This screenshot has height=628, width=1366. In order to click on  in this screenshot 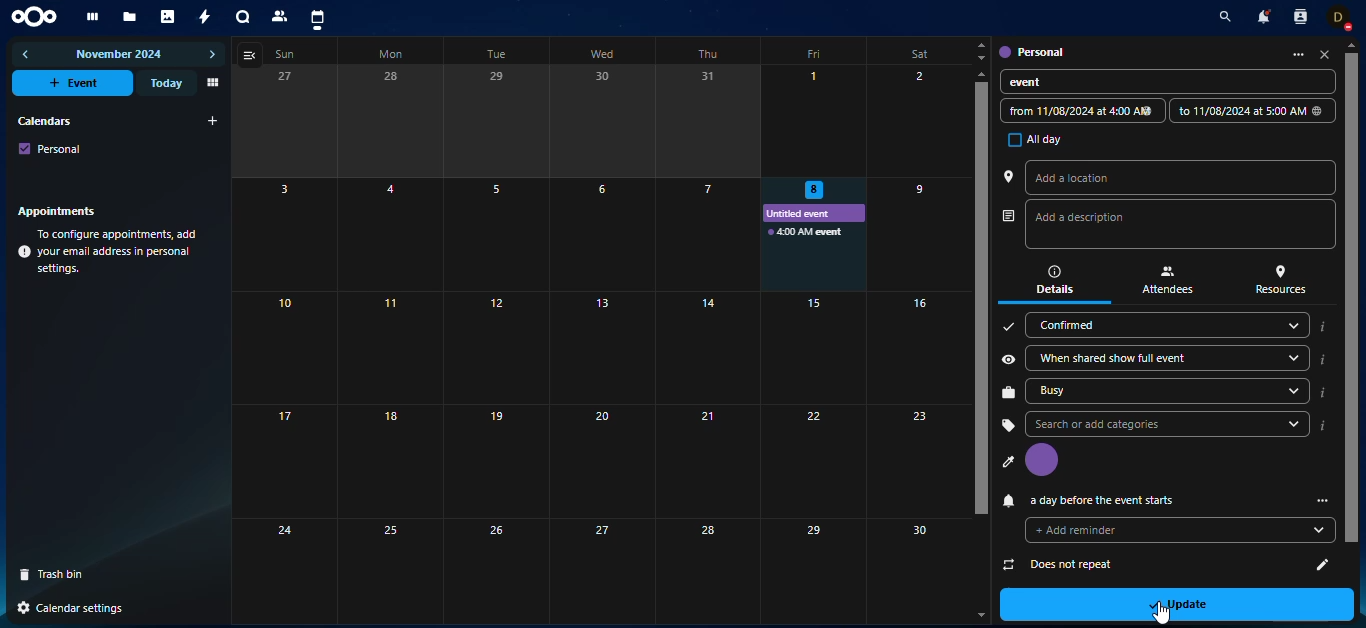, I will do `click(706, 234)`.